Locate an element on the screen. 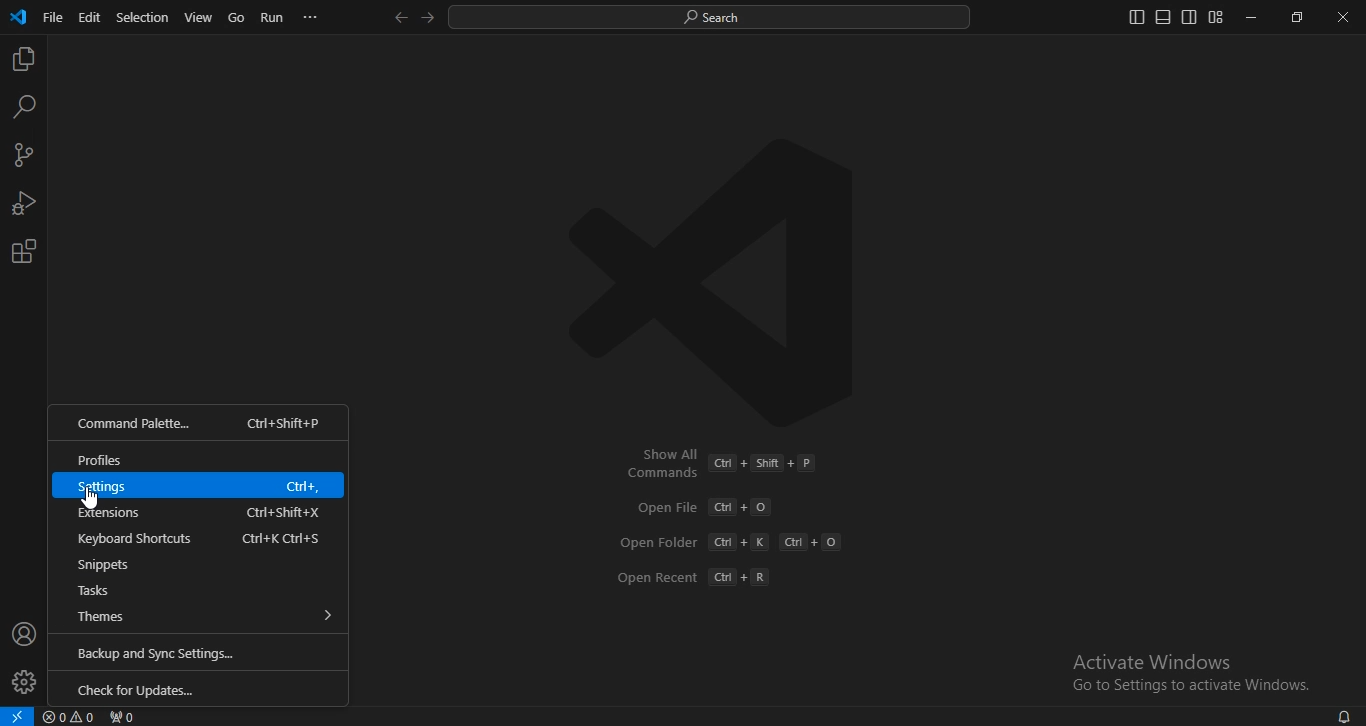 The height and width of the screenshot is (726, 1366). toggle panel is located at coordinates (1162, 17).